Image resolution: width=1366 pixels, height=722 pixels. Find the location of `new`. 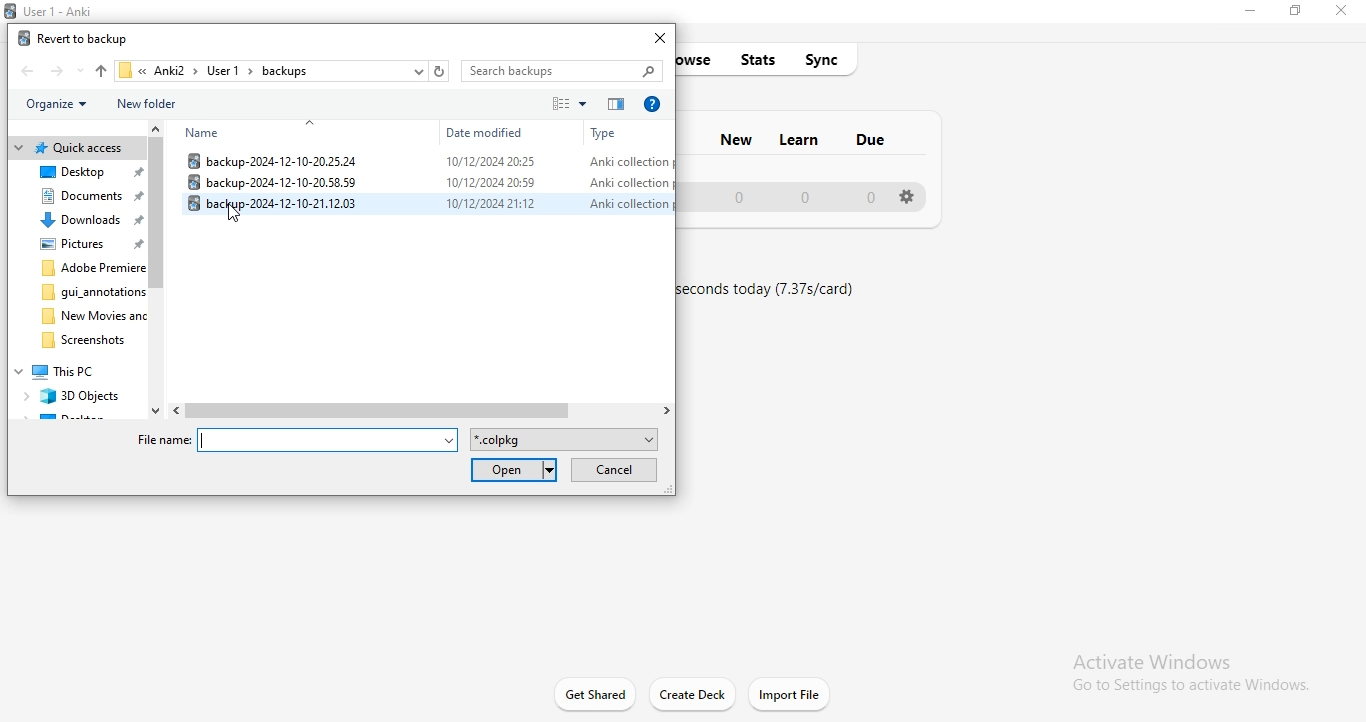

new is located at coordinates (735, 137).